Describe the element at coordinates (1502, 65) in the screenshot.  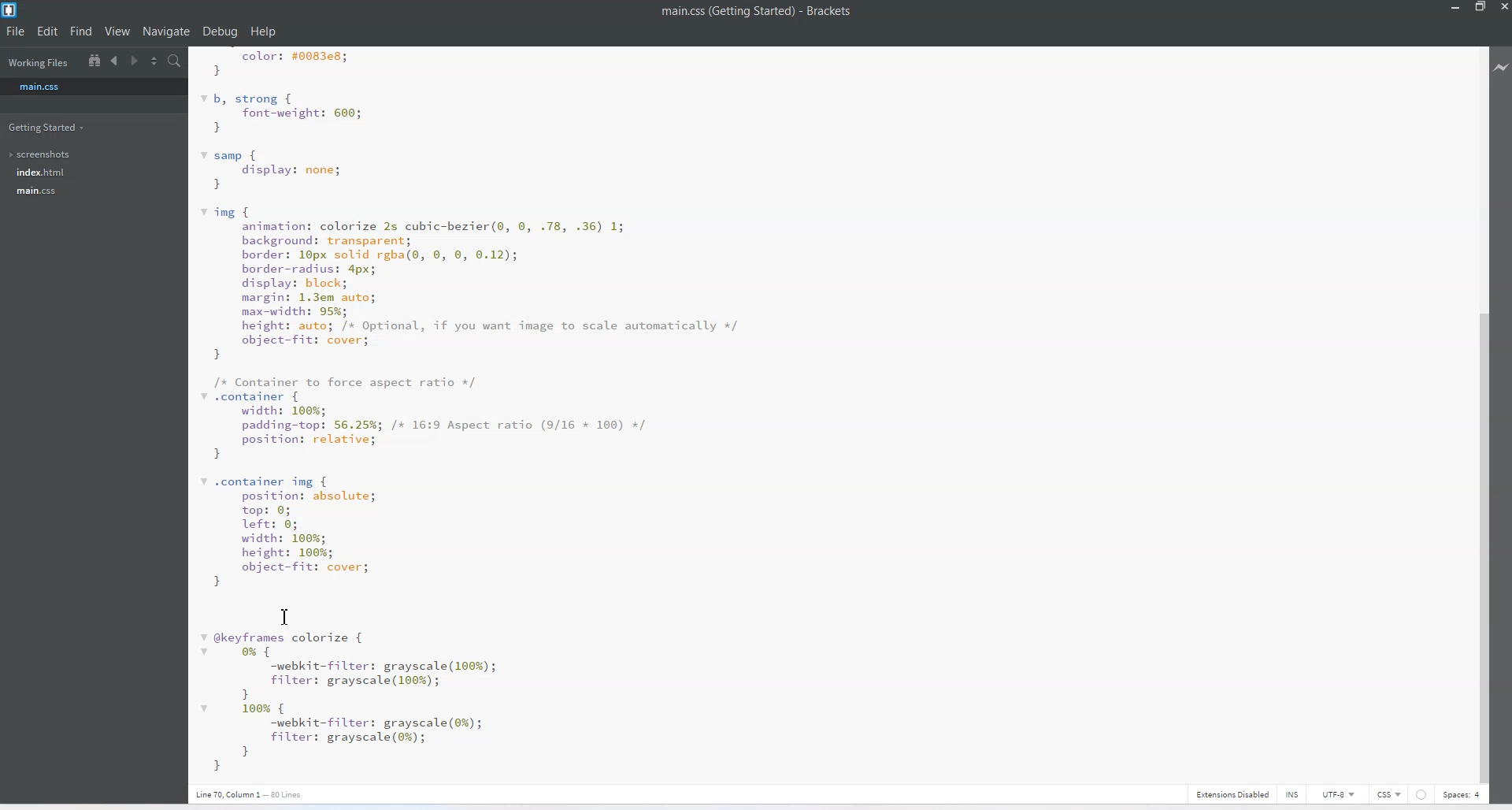
I see `Live Preview` at that location.